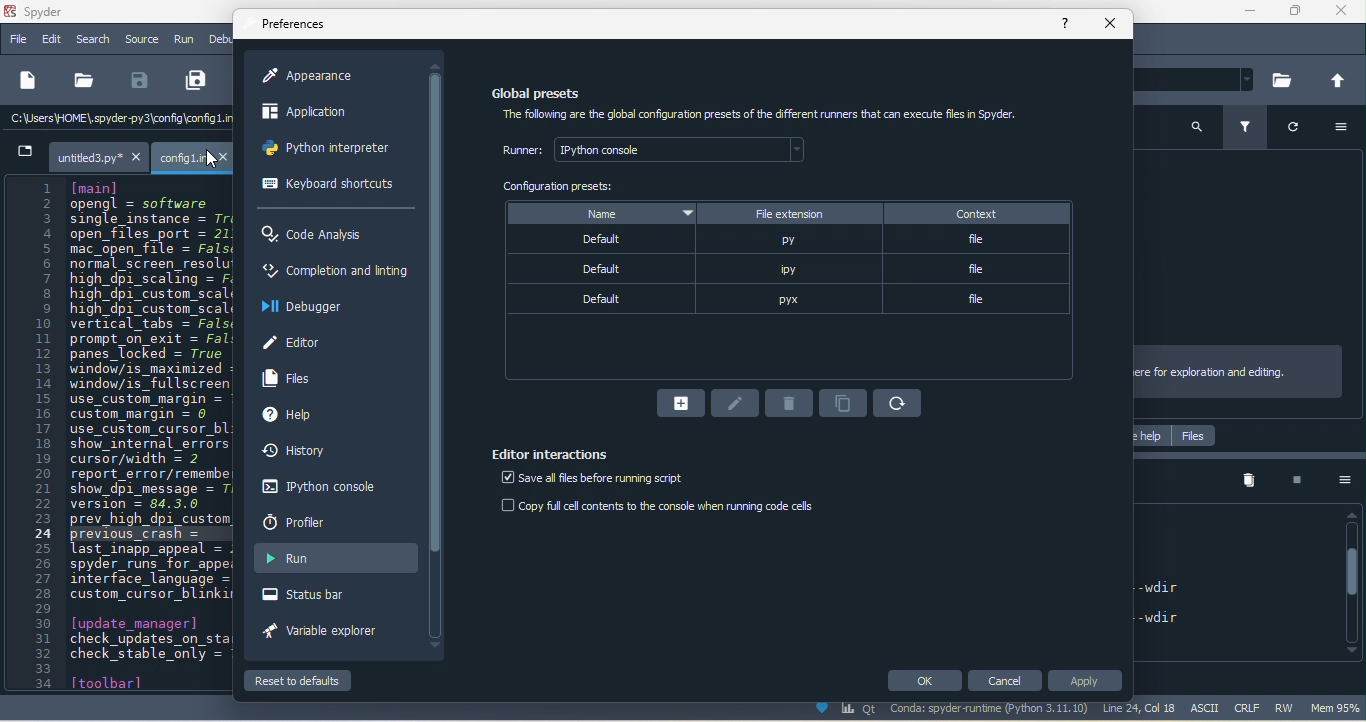  What do you see at coordinates (77, 155) in the screenshot?
I see `untitled.py` at bounding box center [77, 155].